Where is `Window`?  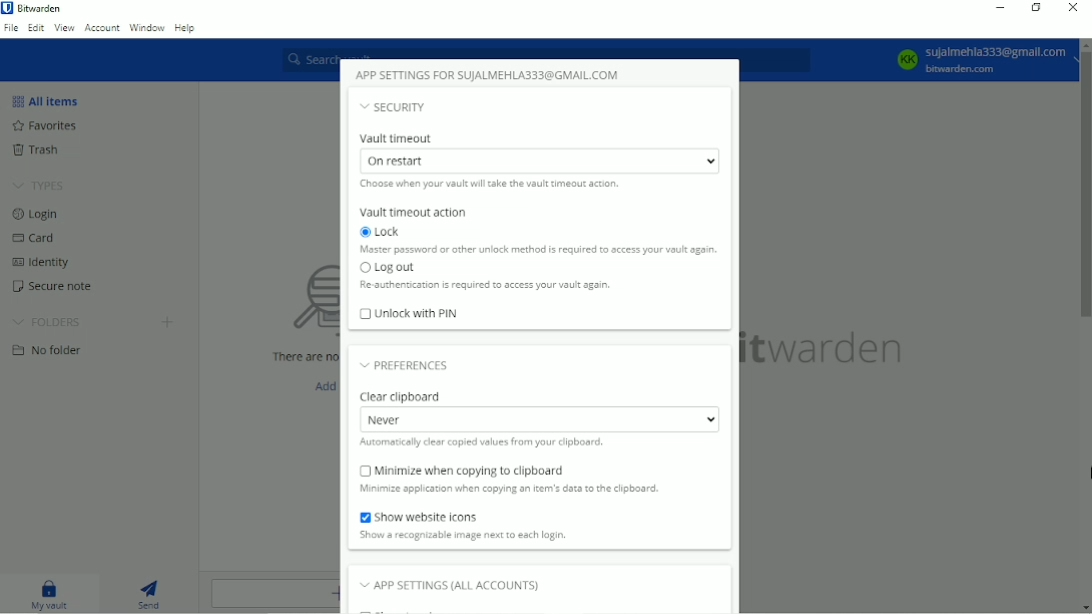 Window is located at coordinates (147, 27).